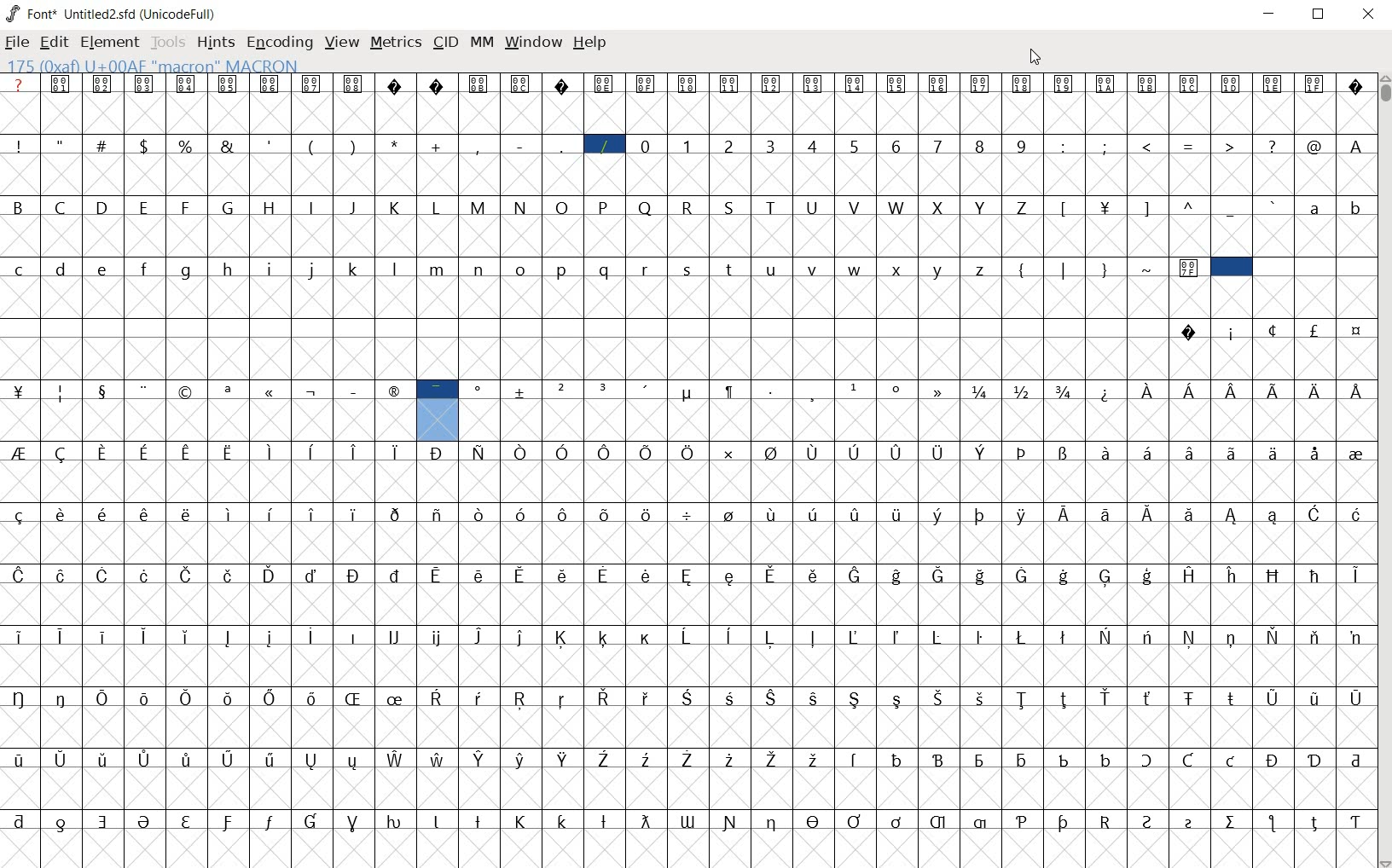  Describe the element at coordinates (498, 289) in the screenshot. I see `alphabets` at that location.